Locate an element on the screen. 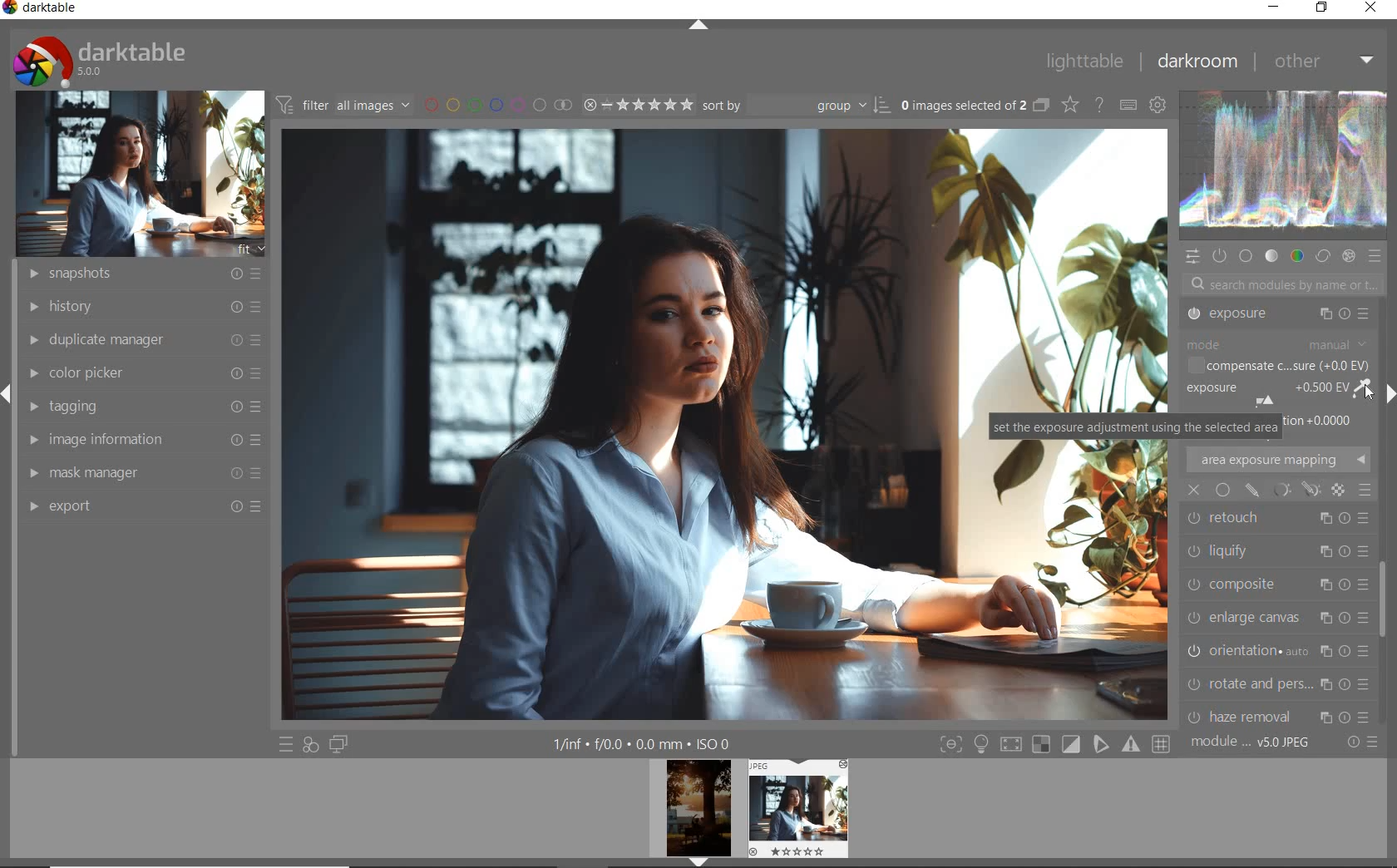  SELECTED  IMAGE RANGE RATING is located at coordinates (637, 105).